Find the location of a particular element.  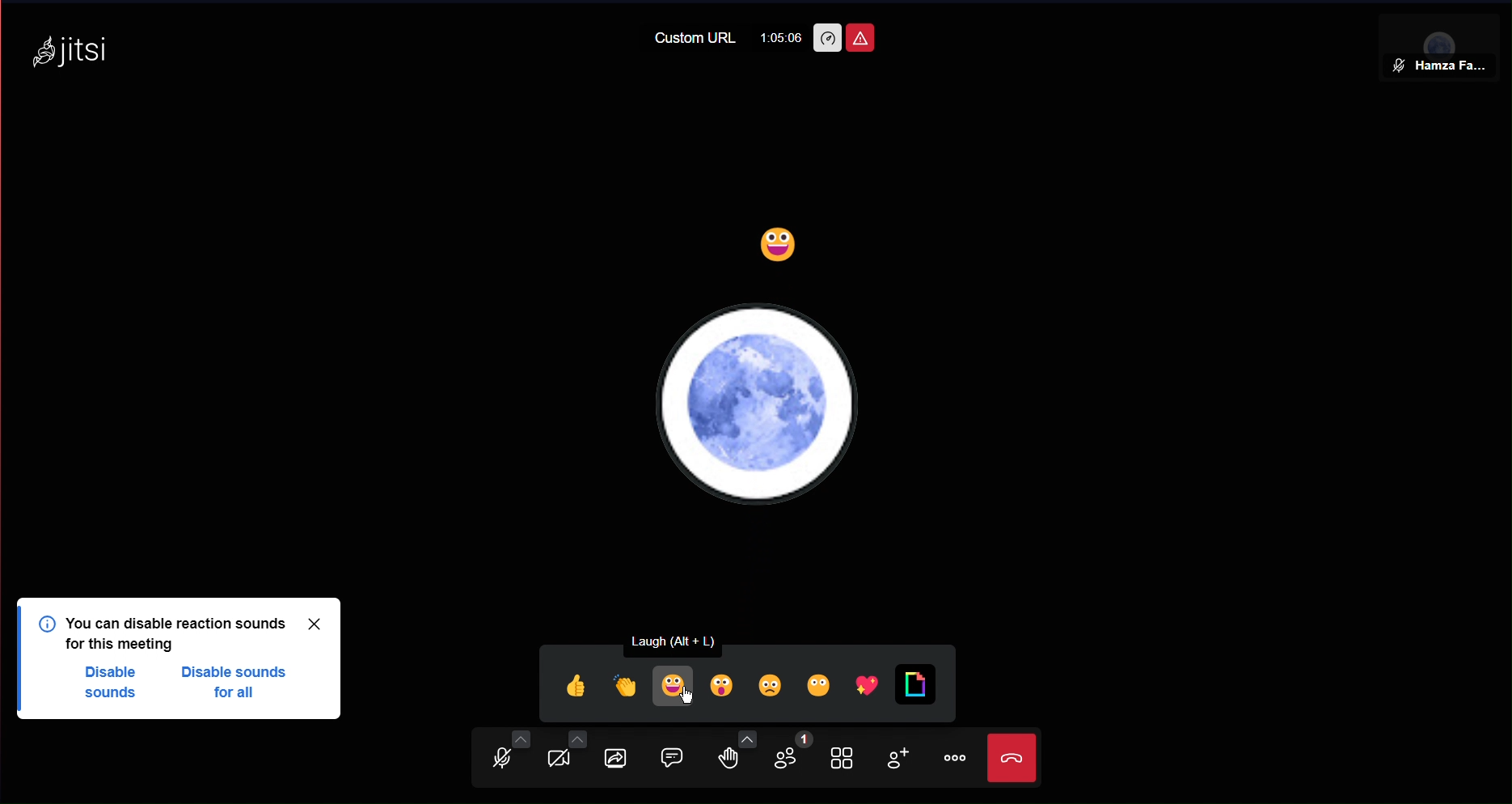

Add Participant is located at coordinates (894, 761).